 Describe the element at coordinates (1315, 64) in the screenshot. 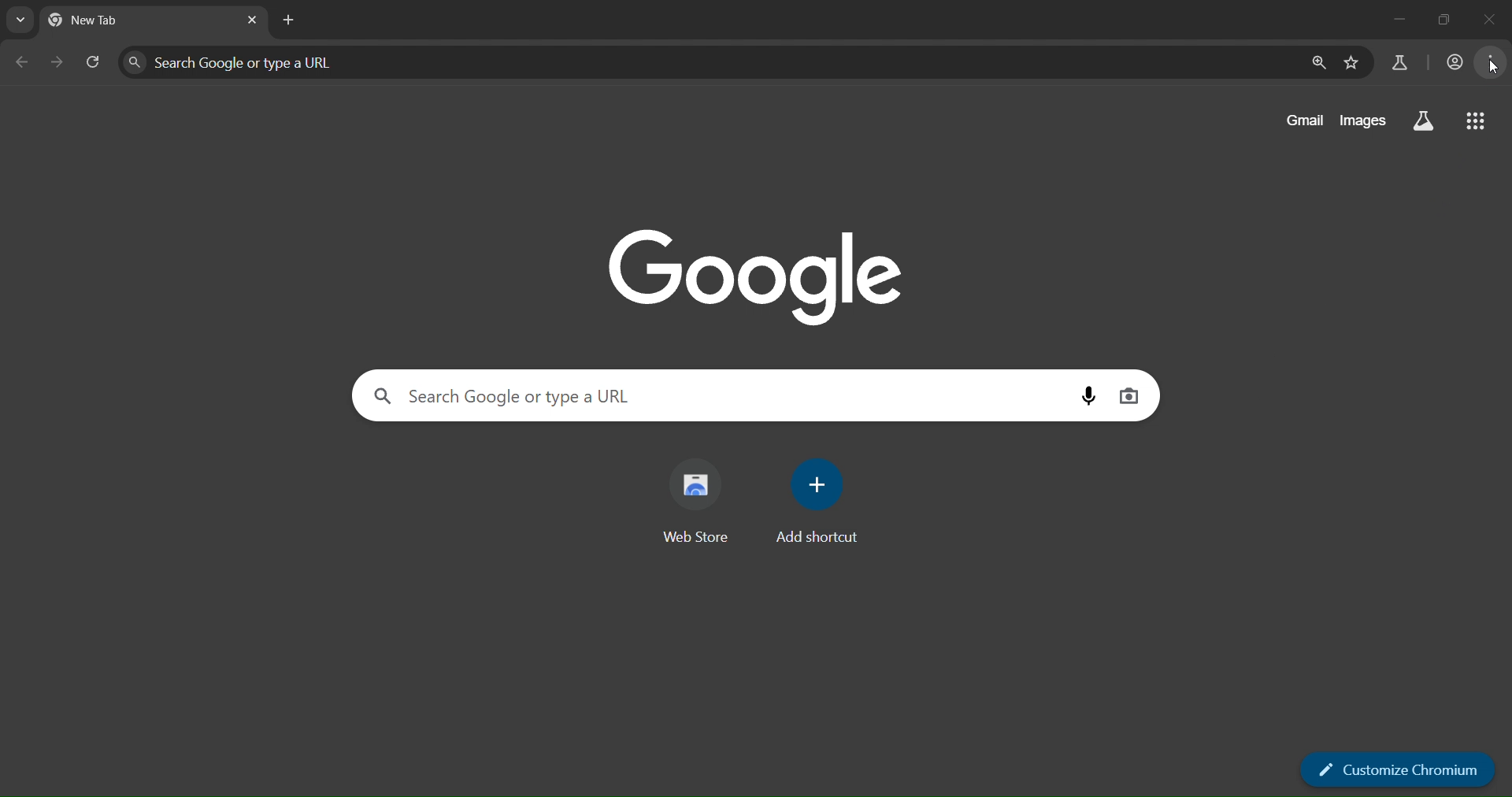

I see `zoom ` at that location.